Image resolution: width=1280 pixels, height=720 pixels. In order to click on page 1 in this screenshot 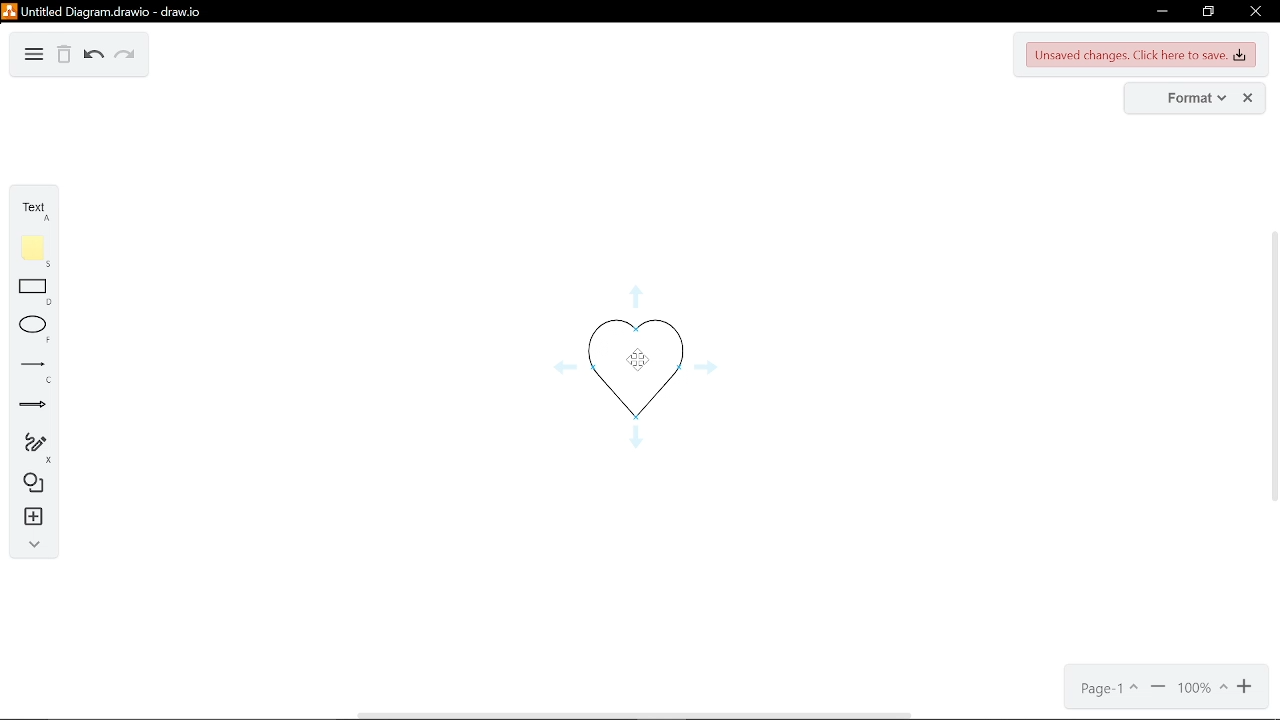, I will do `click(1105, 689)`.